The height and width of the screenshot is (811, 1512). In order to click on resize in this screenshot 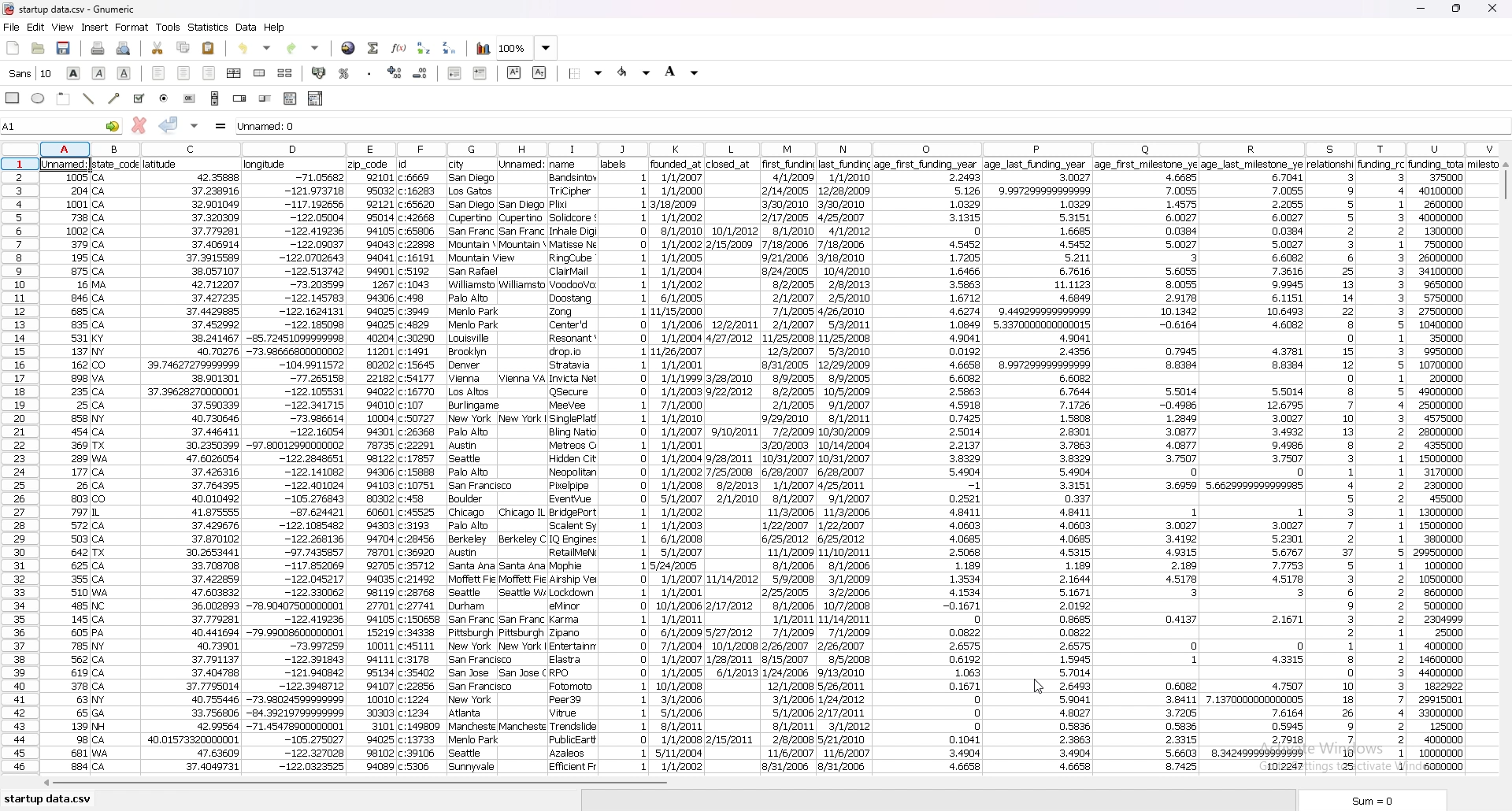, I will do `click(1458, 8)`.